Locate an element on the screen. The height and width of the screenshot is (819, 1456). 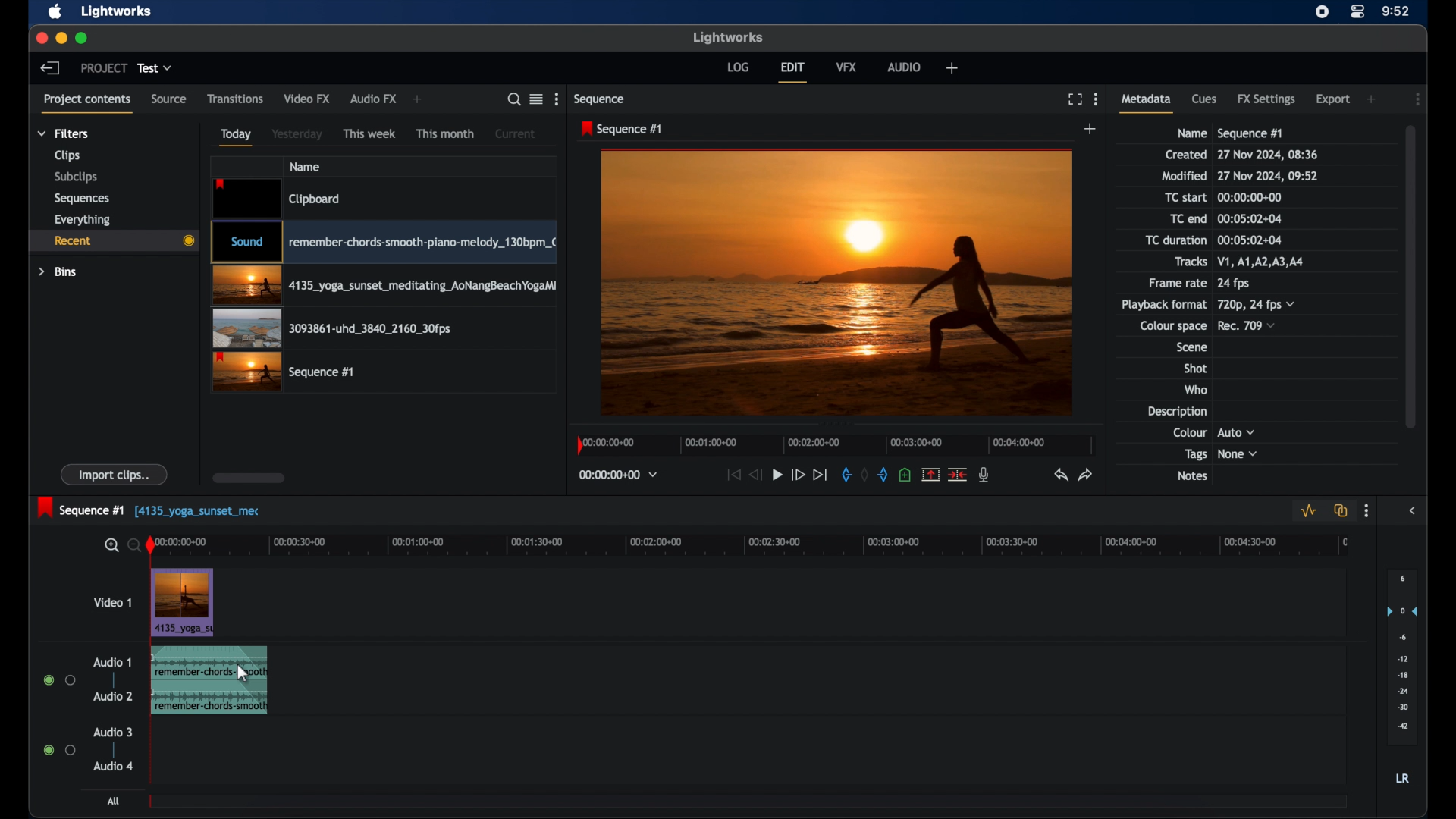
log is located at coordinates (738, 67).